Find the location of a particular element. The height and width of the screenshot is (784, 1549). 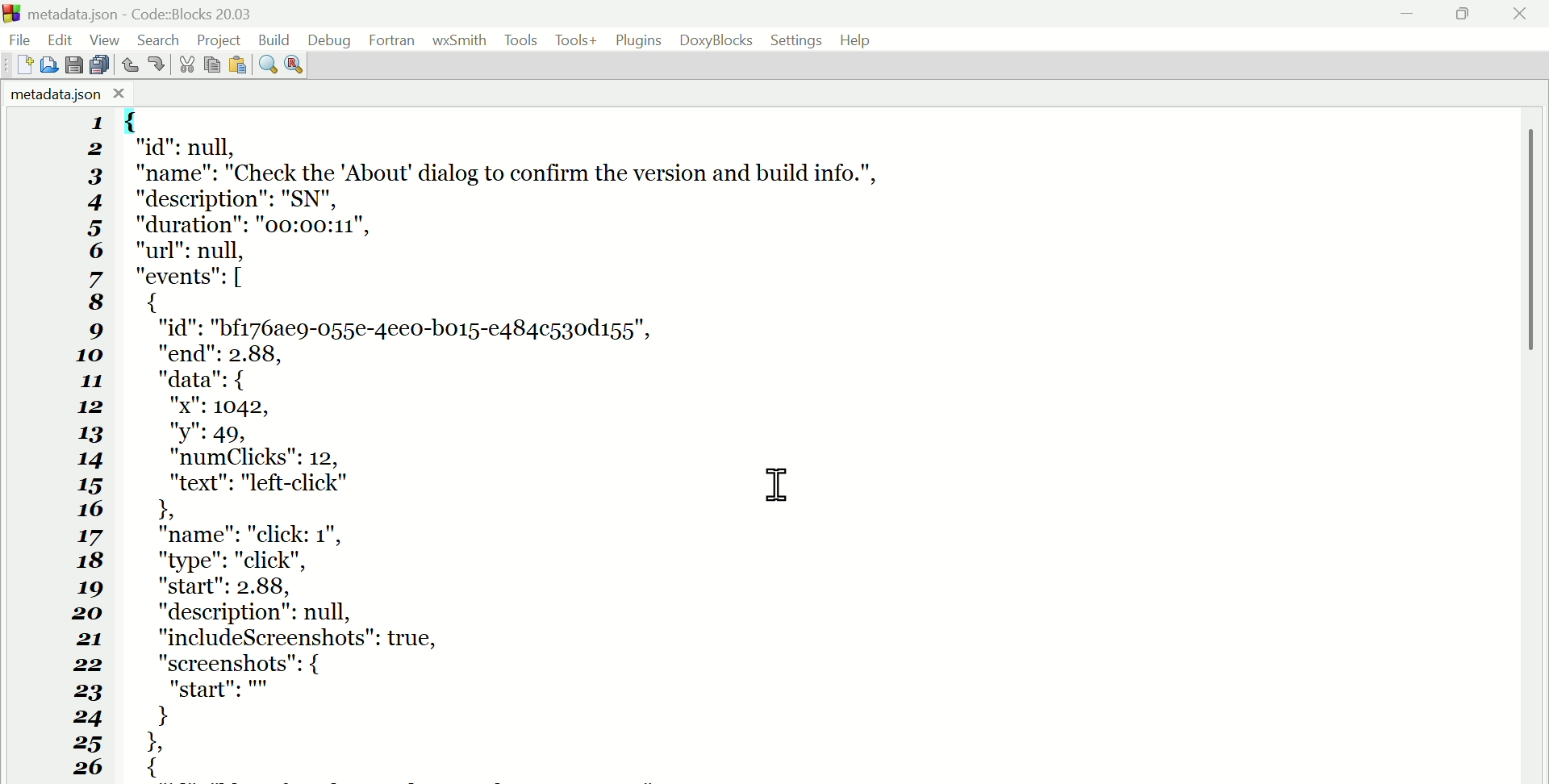

Edit is located at coordinates (61, 39).